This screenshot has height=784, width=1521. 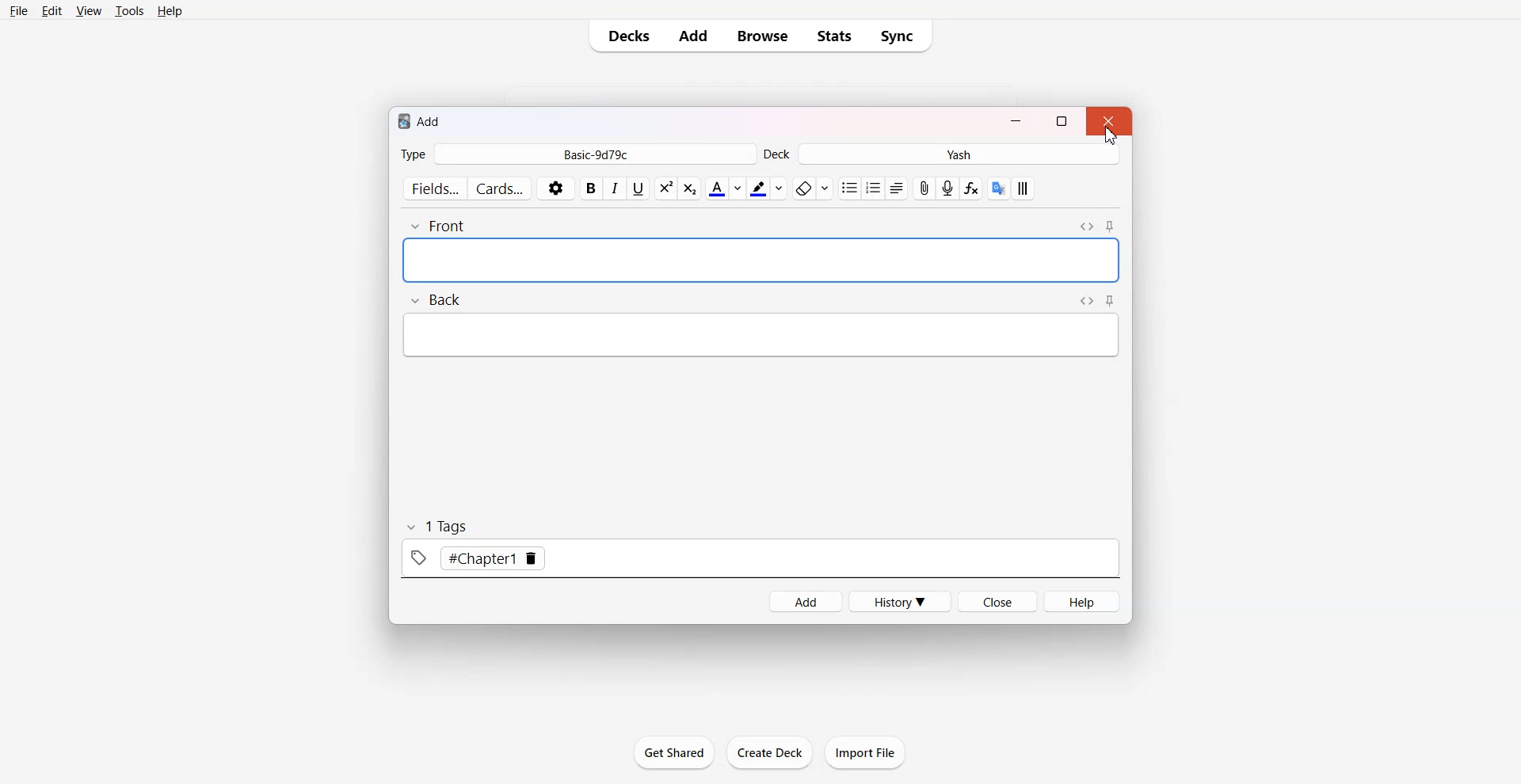 What do you see at coordinates (760, 335) in the screenshot?
I see `back input field` at bounding box center [760, 335].